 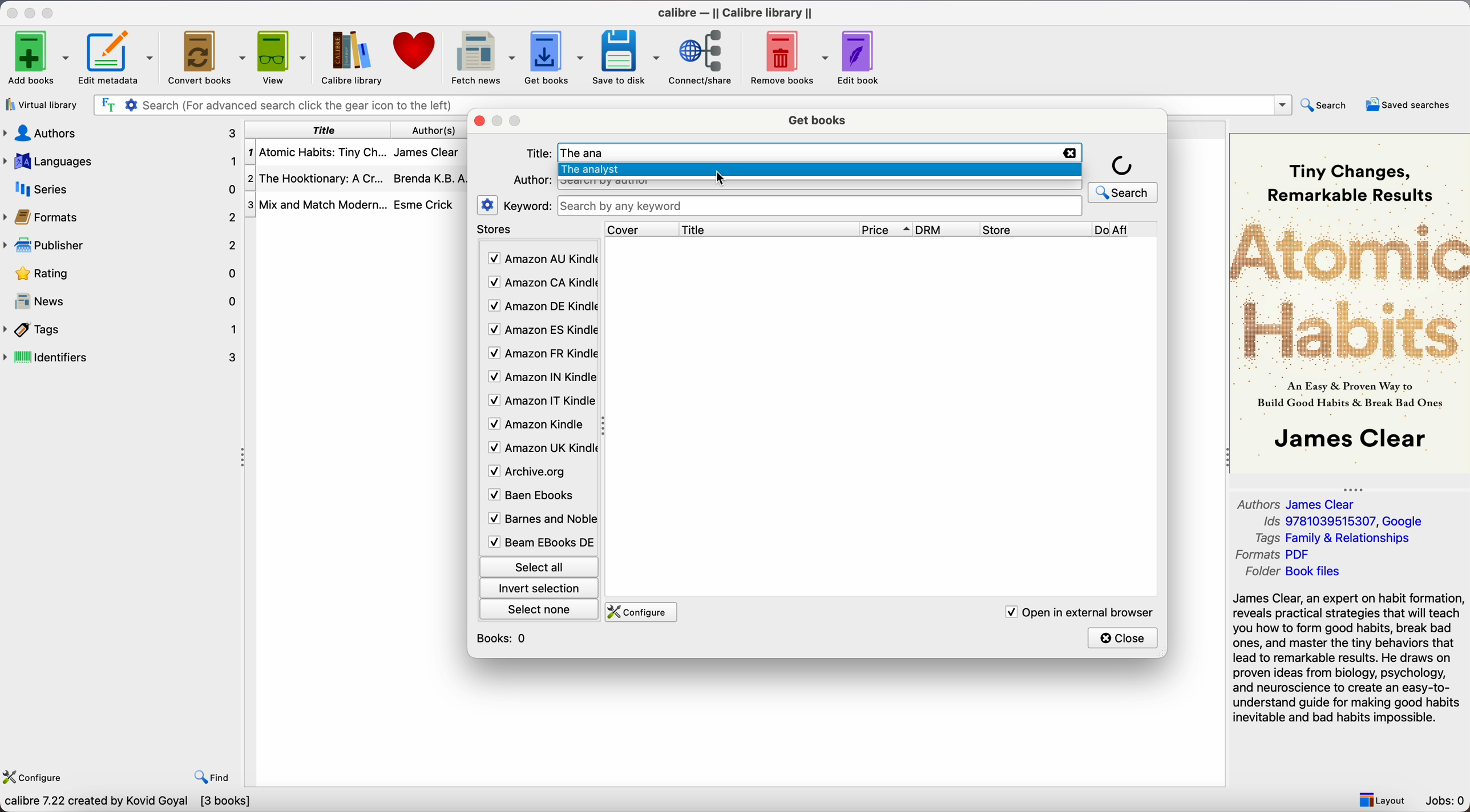 I want to click on Amazon Kindle, so click(x=538, y=426).